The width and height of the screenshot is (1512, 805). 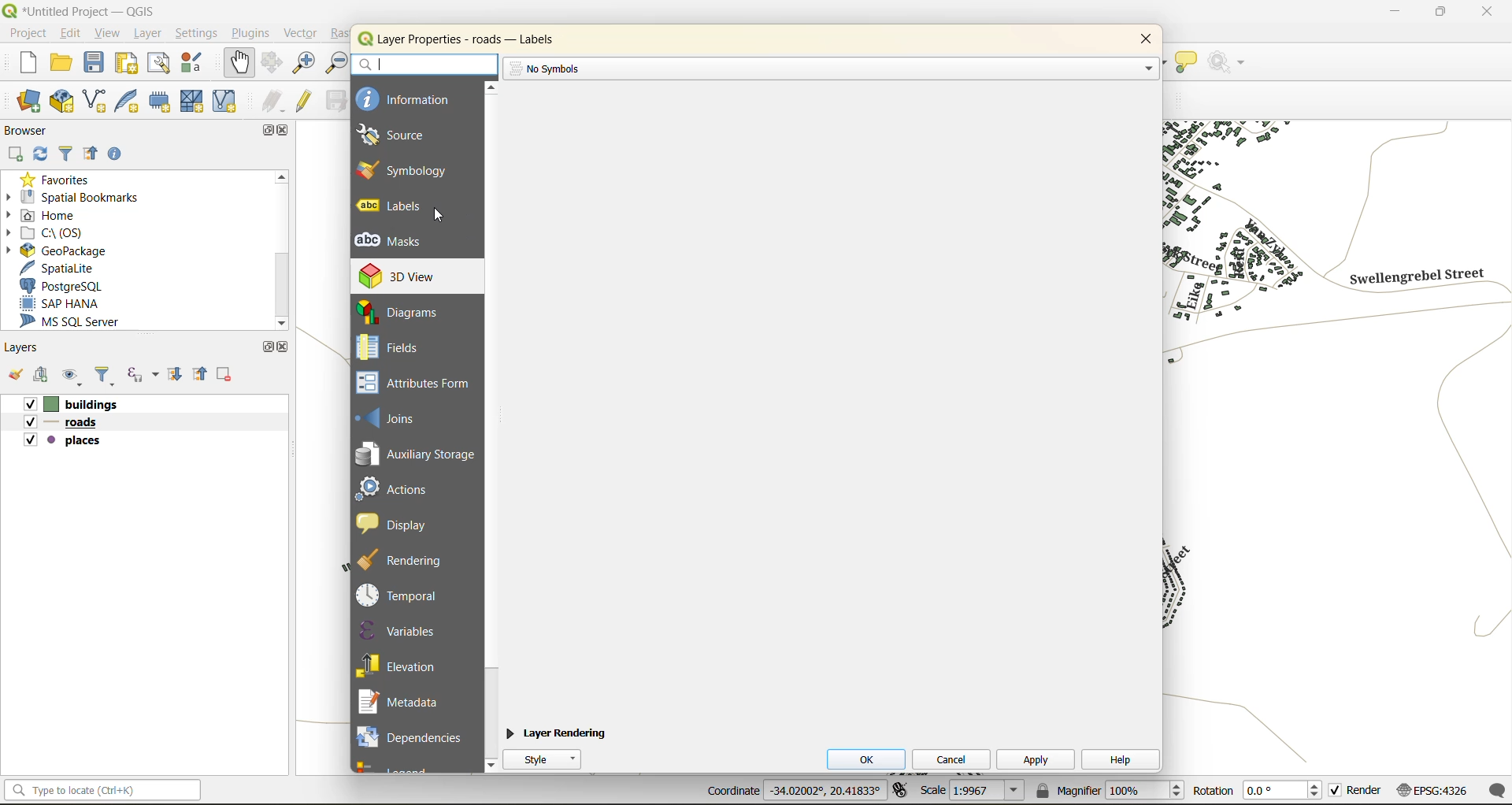 I want to click on edits, so click(x=274, y=101).